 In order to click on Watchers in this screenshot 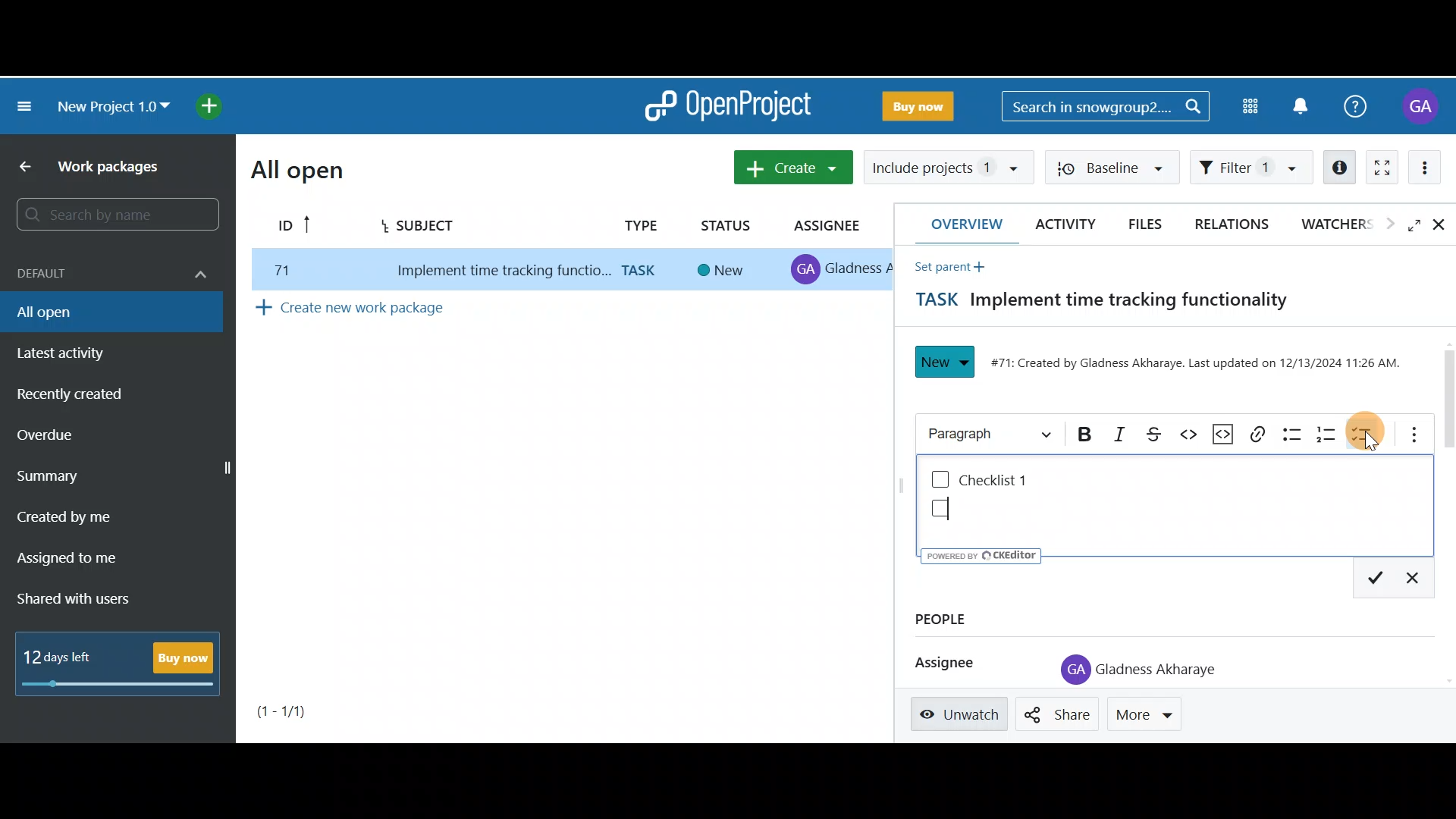, I will do `click(1335, 227)`.